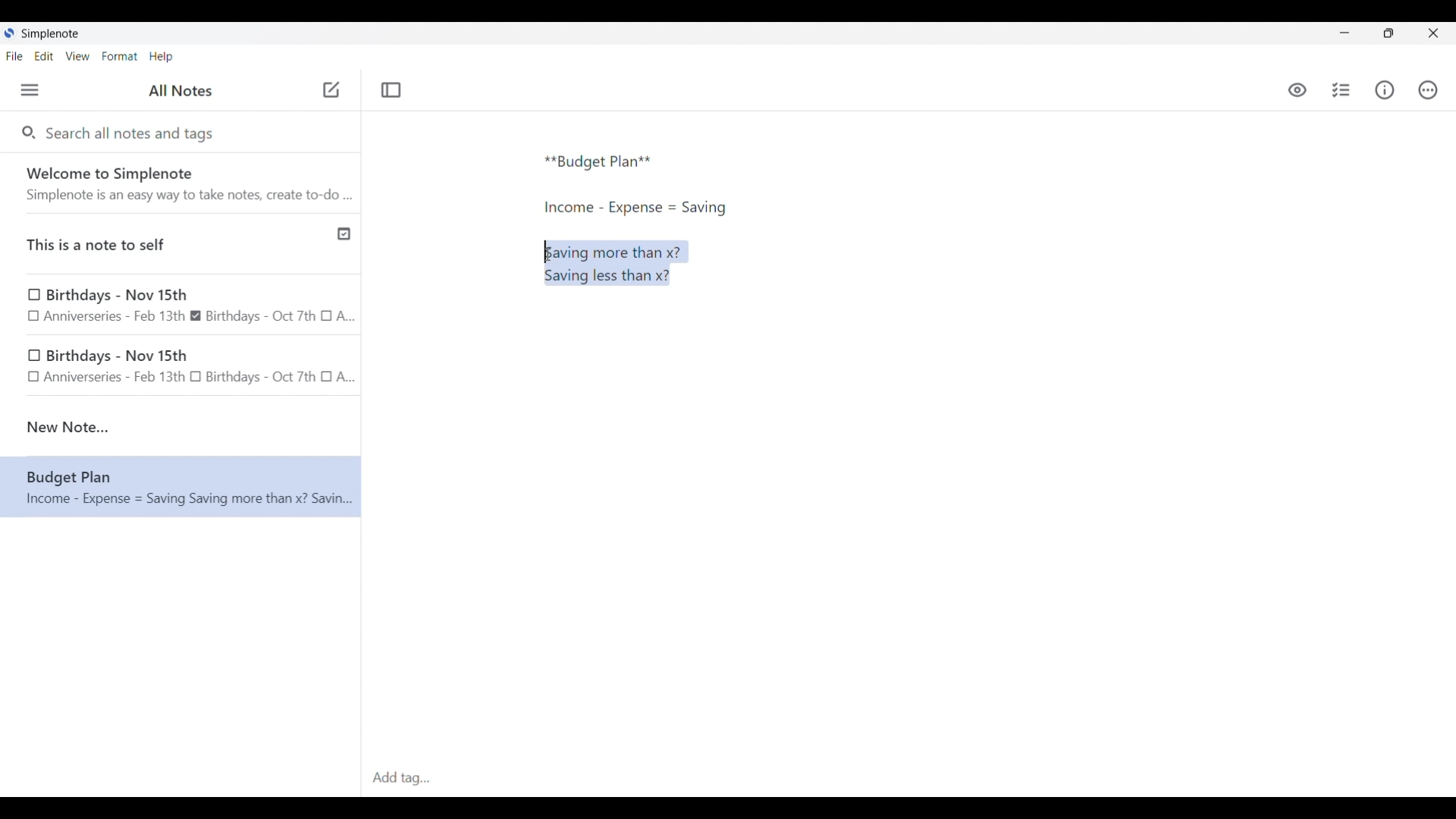  I want to click on Click to type in tags, so click(908, 779).